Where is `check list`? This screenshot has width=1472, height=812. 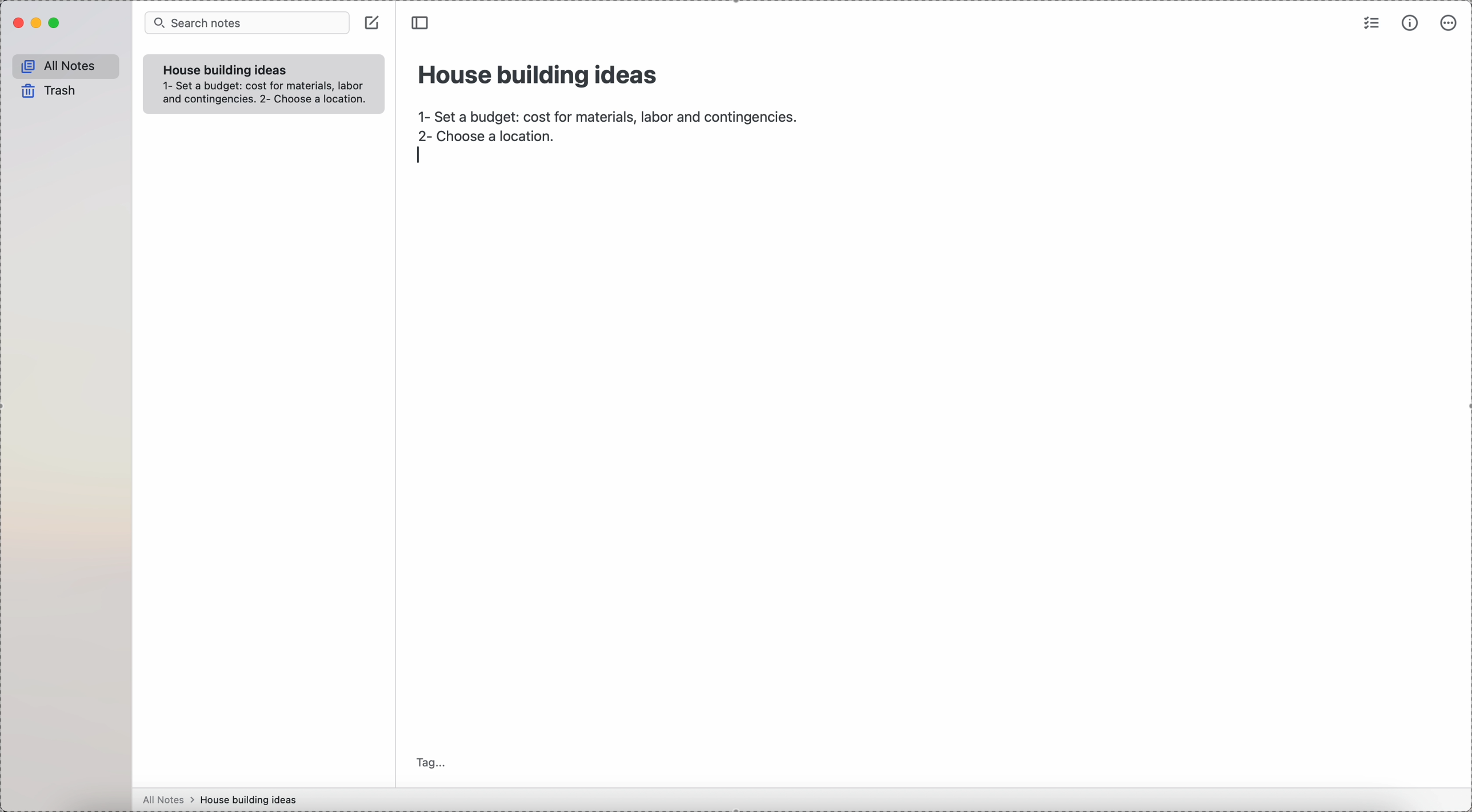 check list is located at coordinates (1370, 25).